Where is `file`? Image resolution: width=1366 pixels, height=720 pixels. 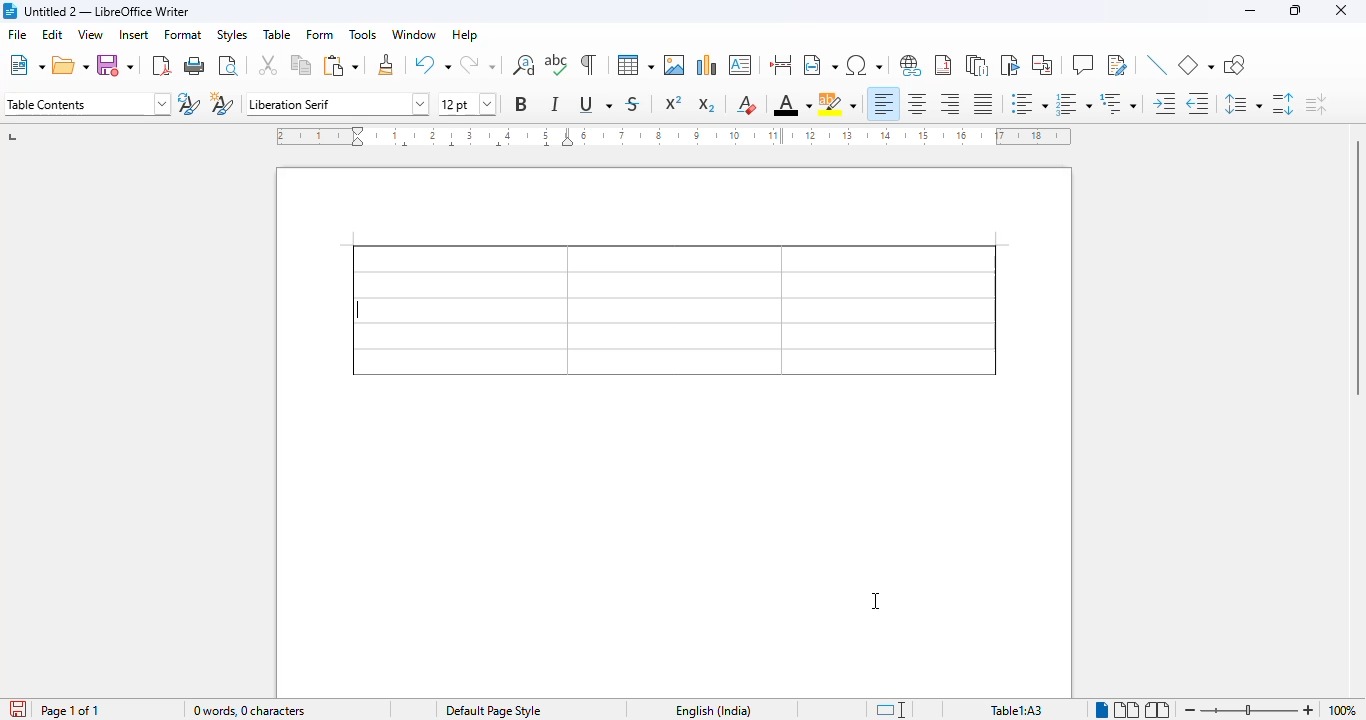
file is located at coordinates (16, 35).